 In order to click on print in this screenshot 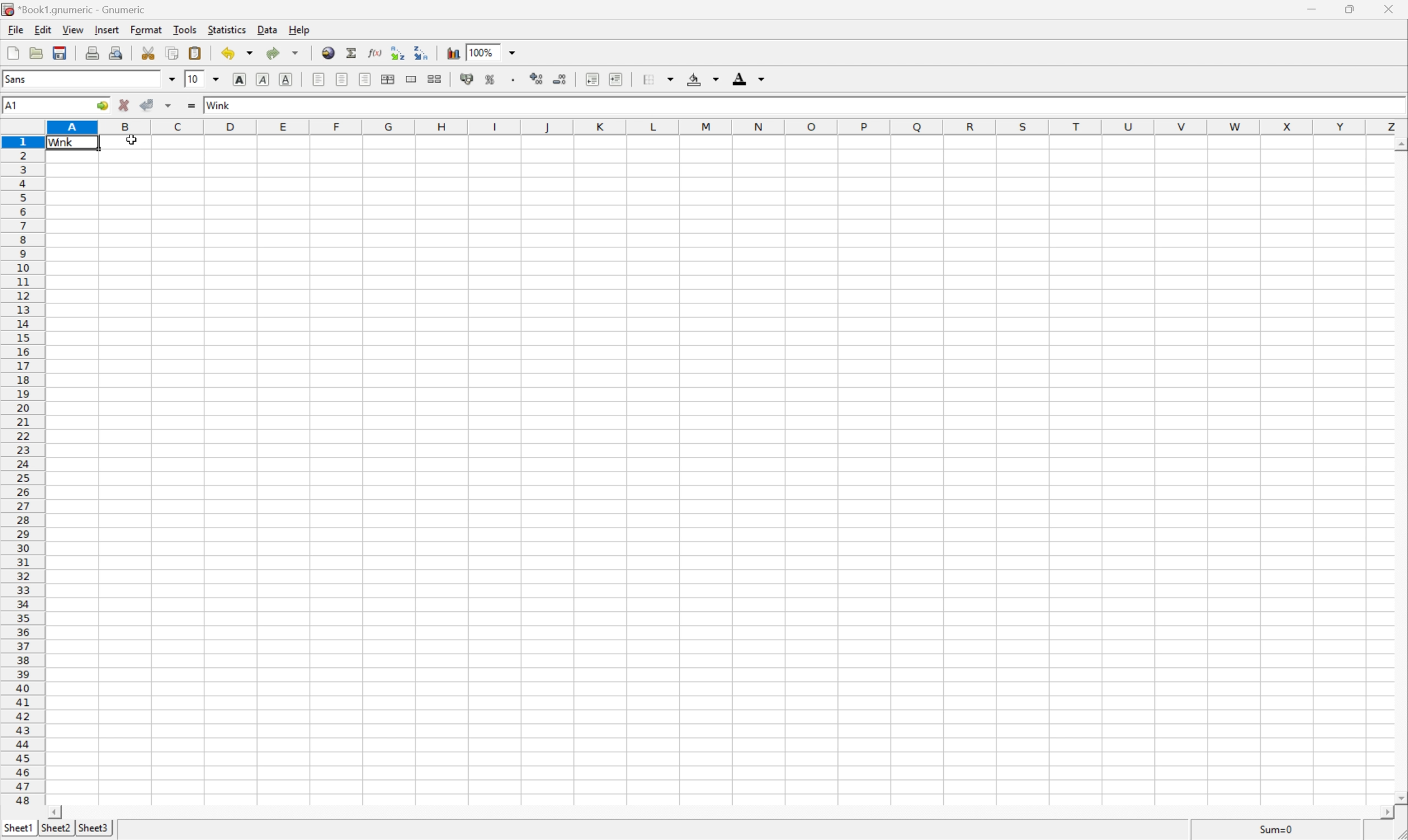, I will do `click(92, 53)`.